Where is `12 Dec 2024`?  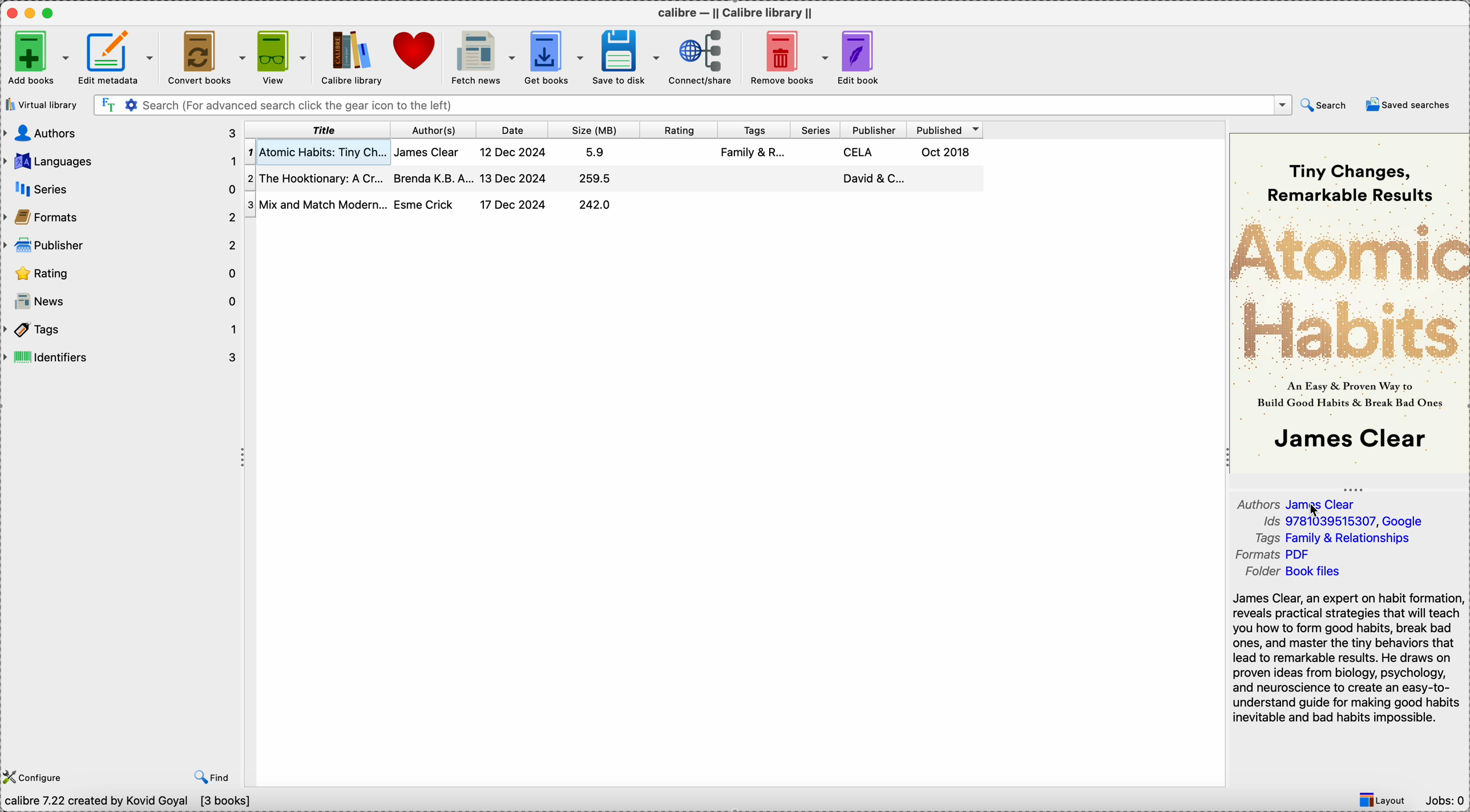 12 Dec 2024 is located at coordinates (515, 151).